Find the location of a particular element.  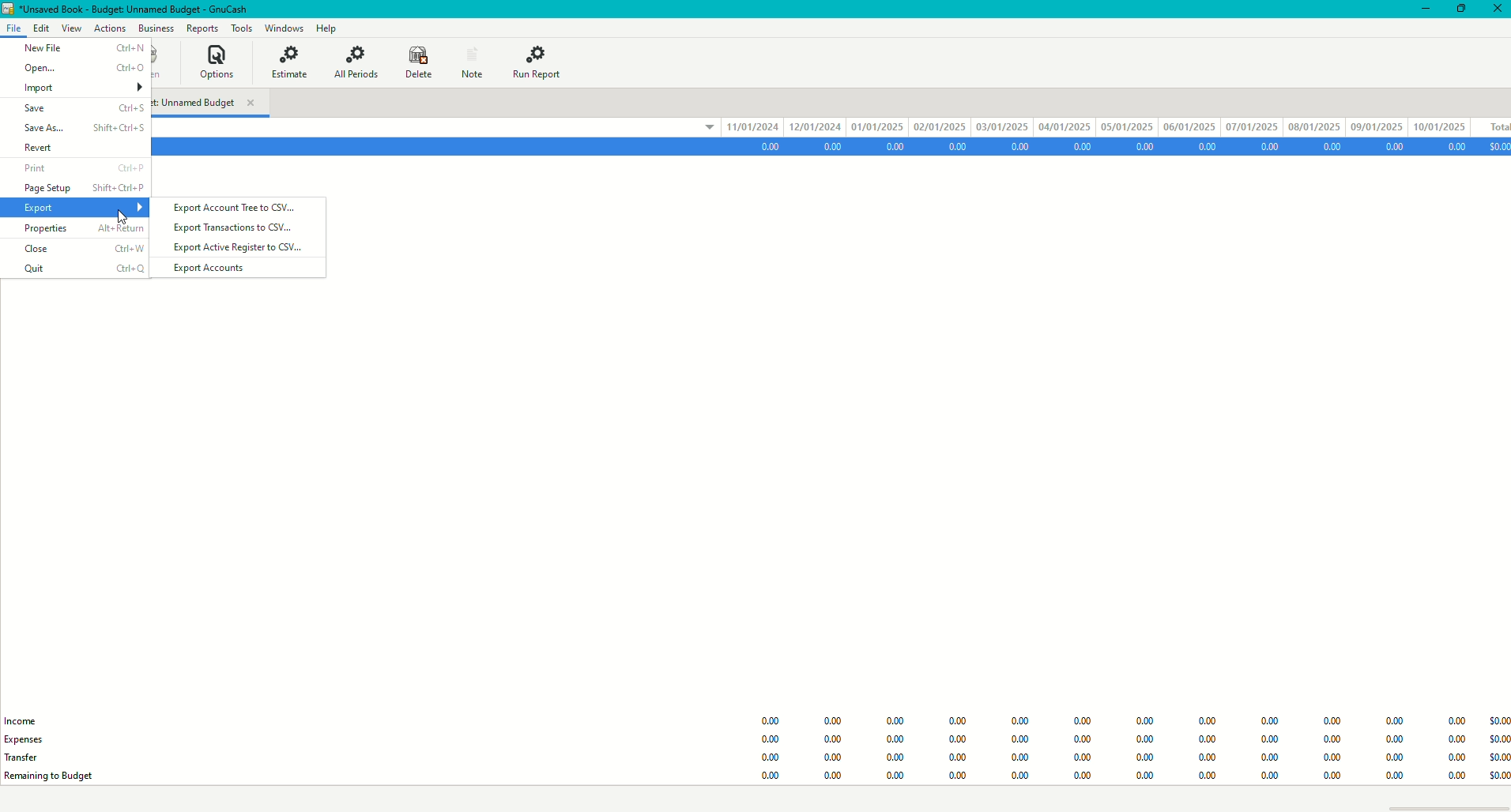

Remaining Budget is located at coordinates (58, 776).